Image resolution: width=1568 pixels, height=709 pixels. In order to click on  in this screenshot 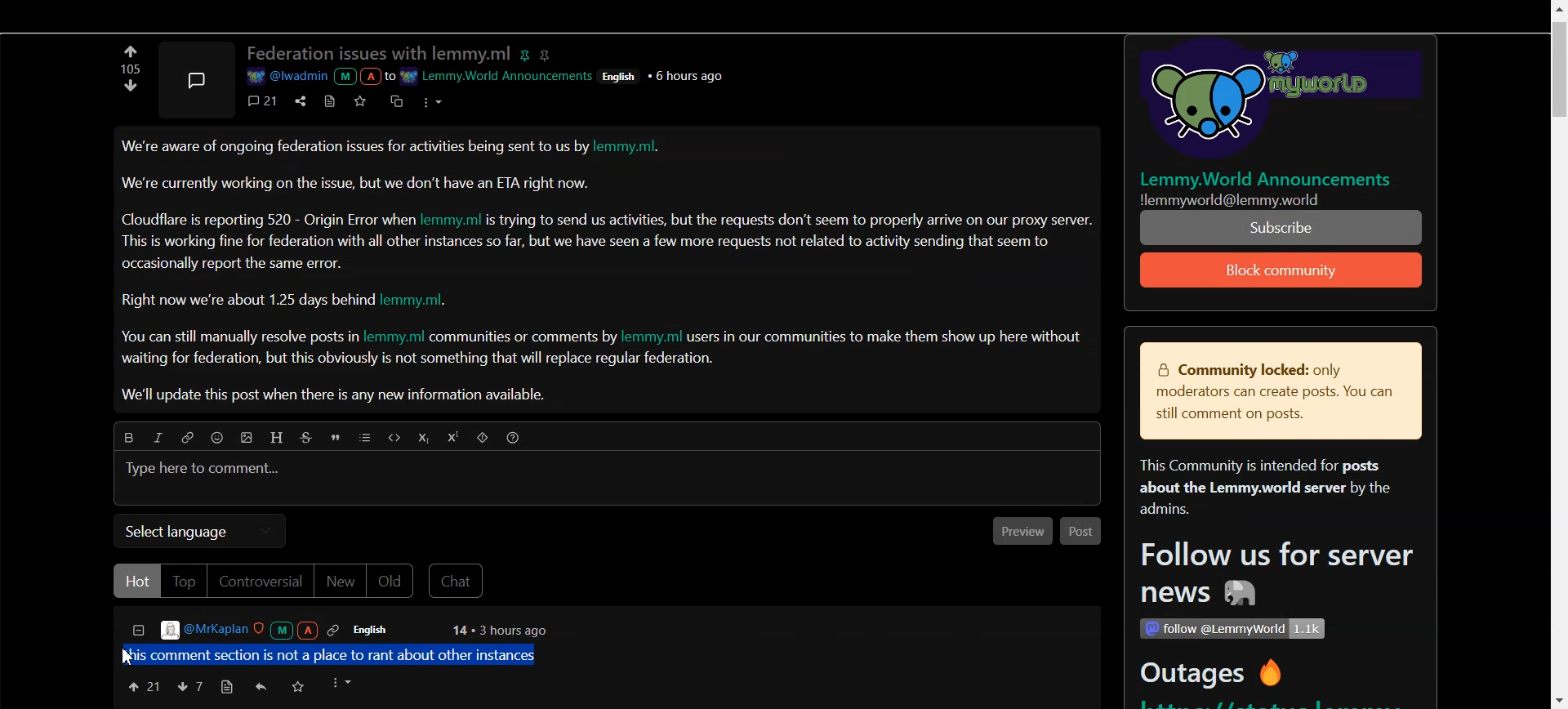, I will do `click(1271, 102)`.